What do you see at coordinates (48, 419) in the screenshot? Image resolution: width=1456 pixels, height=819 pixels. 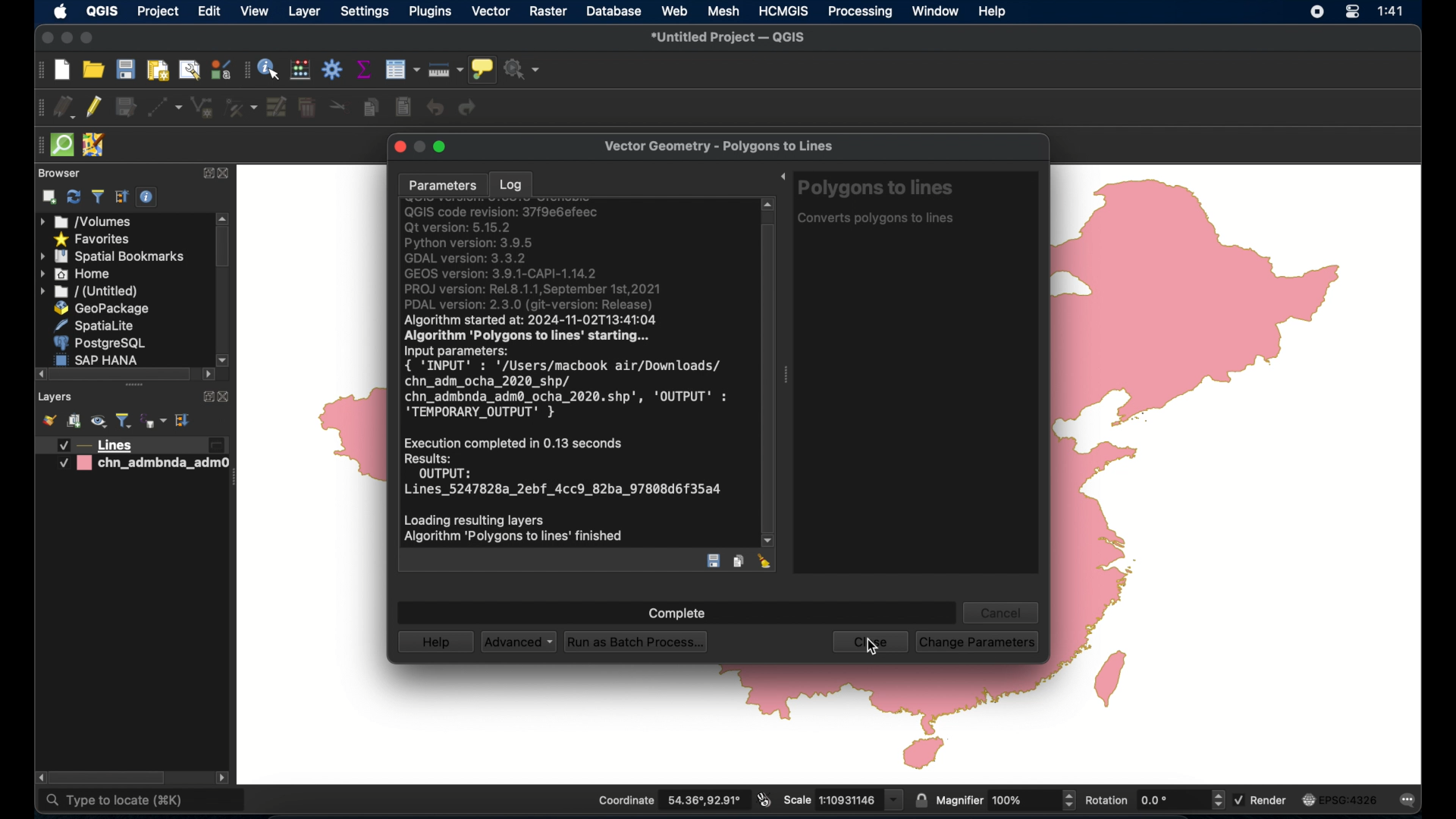 I see `open layer styling panel` at bounding box center [48, 419].